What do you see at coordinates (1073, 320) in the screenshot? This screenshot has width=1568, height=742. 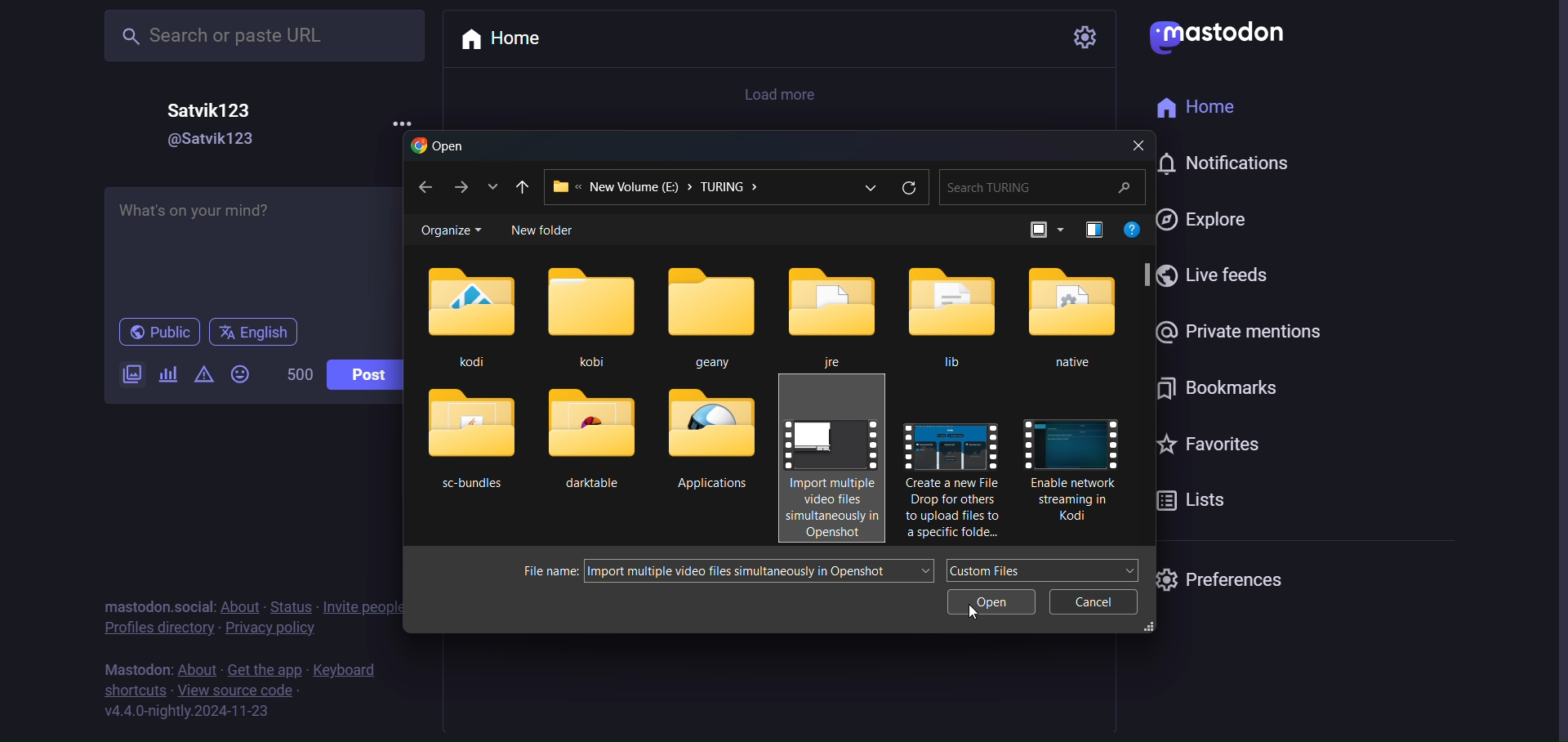 I see `native` at bounding box center [1073, 320].